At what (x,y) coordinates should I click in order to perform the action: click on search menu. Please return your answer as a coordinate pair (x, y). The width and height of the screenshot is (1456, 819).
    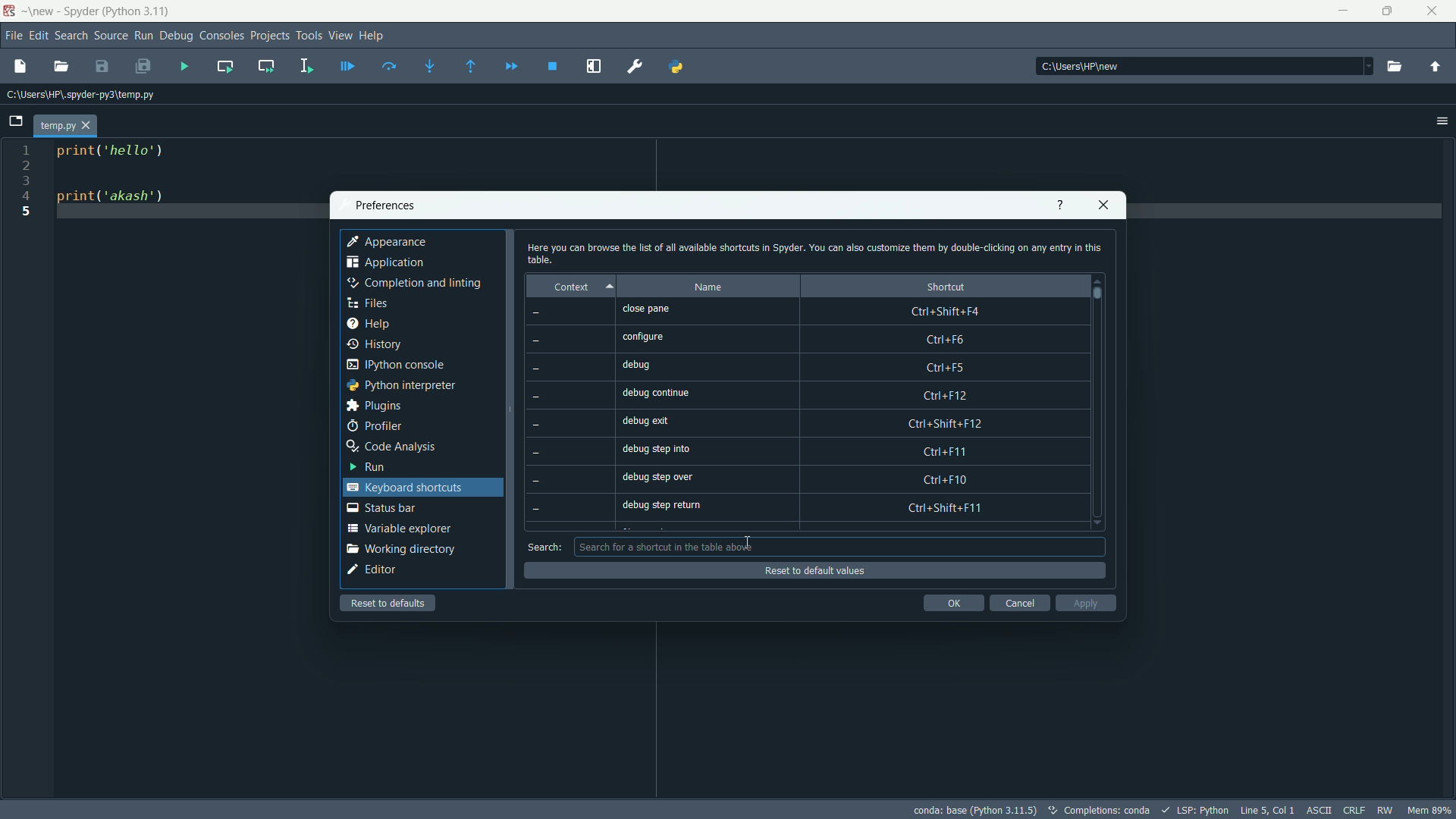
    Looking at the image, I should click on (72, 34).